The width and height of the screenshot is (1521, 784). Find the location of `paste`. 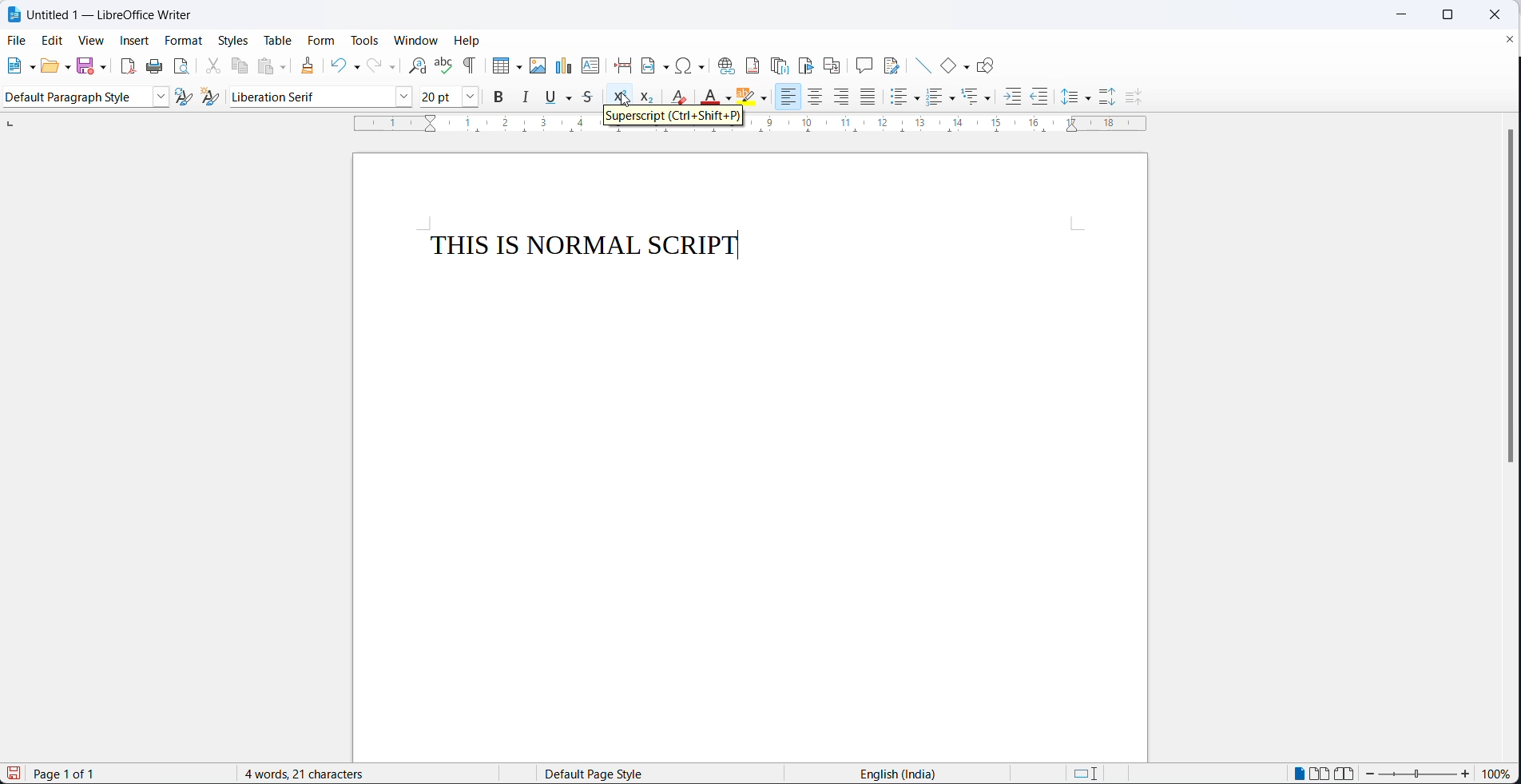

paste is located at coordinates (267, 65).